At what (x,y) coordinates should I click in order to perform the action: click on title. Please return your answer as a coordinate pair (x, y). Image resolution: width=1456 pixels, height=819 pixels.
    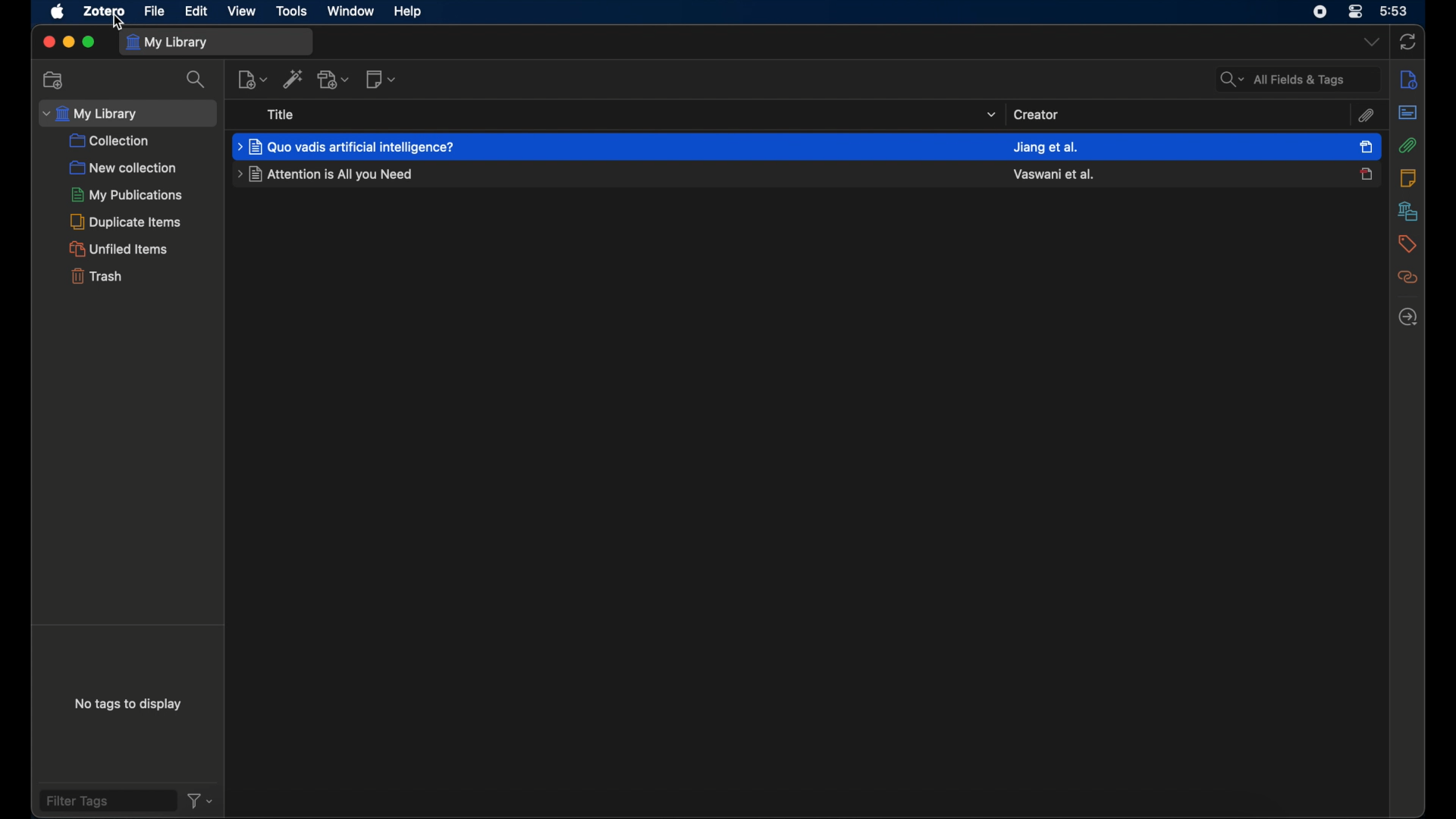
    Looking at the image, I should click on (283, 115).